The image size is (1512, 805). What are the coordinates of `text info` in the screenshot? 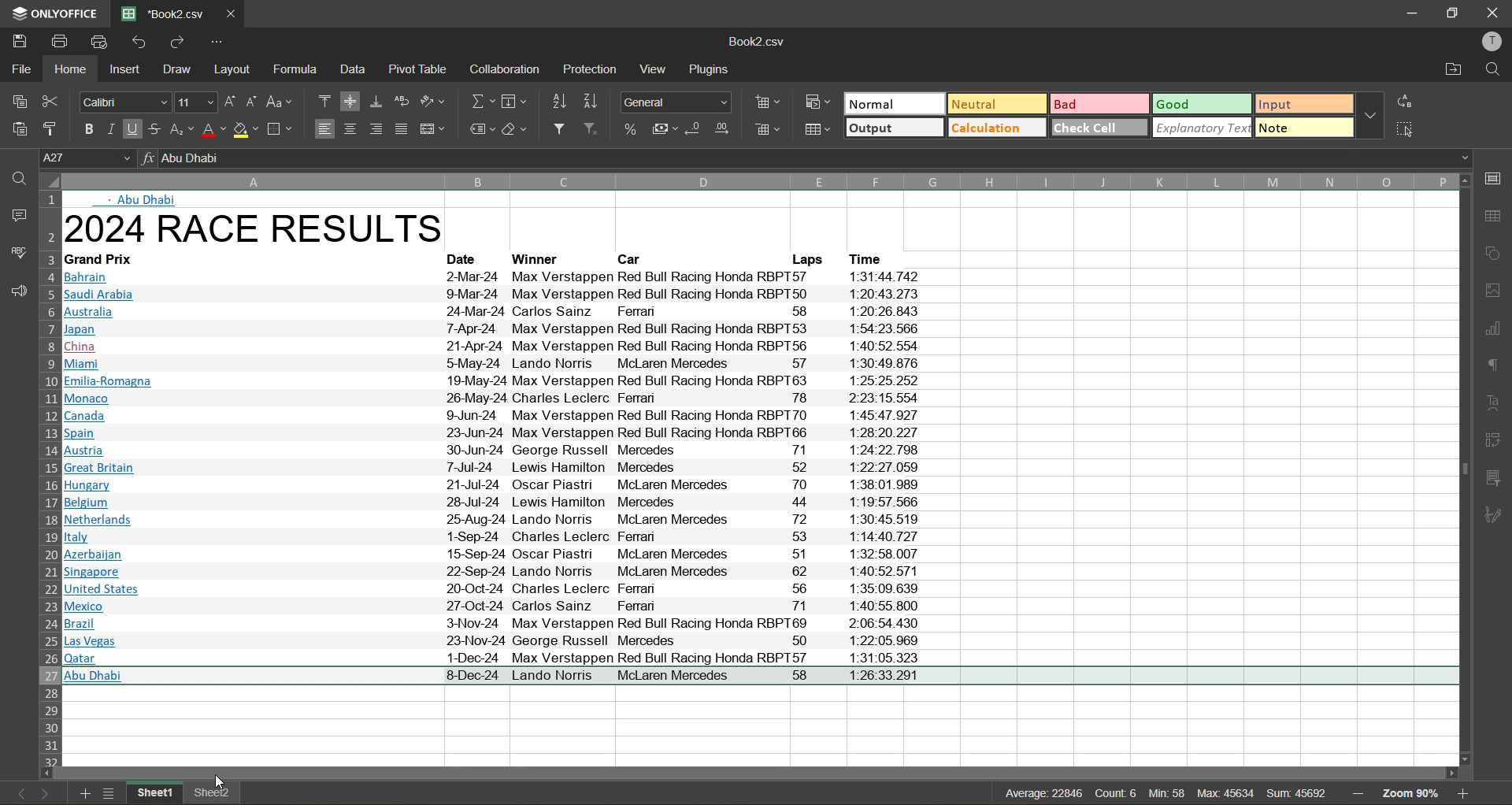 It's located at (495, 572).